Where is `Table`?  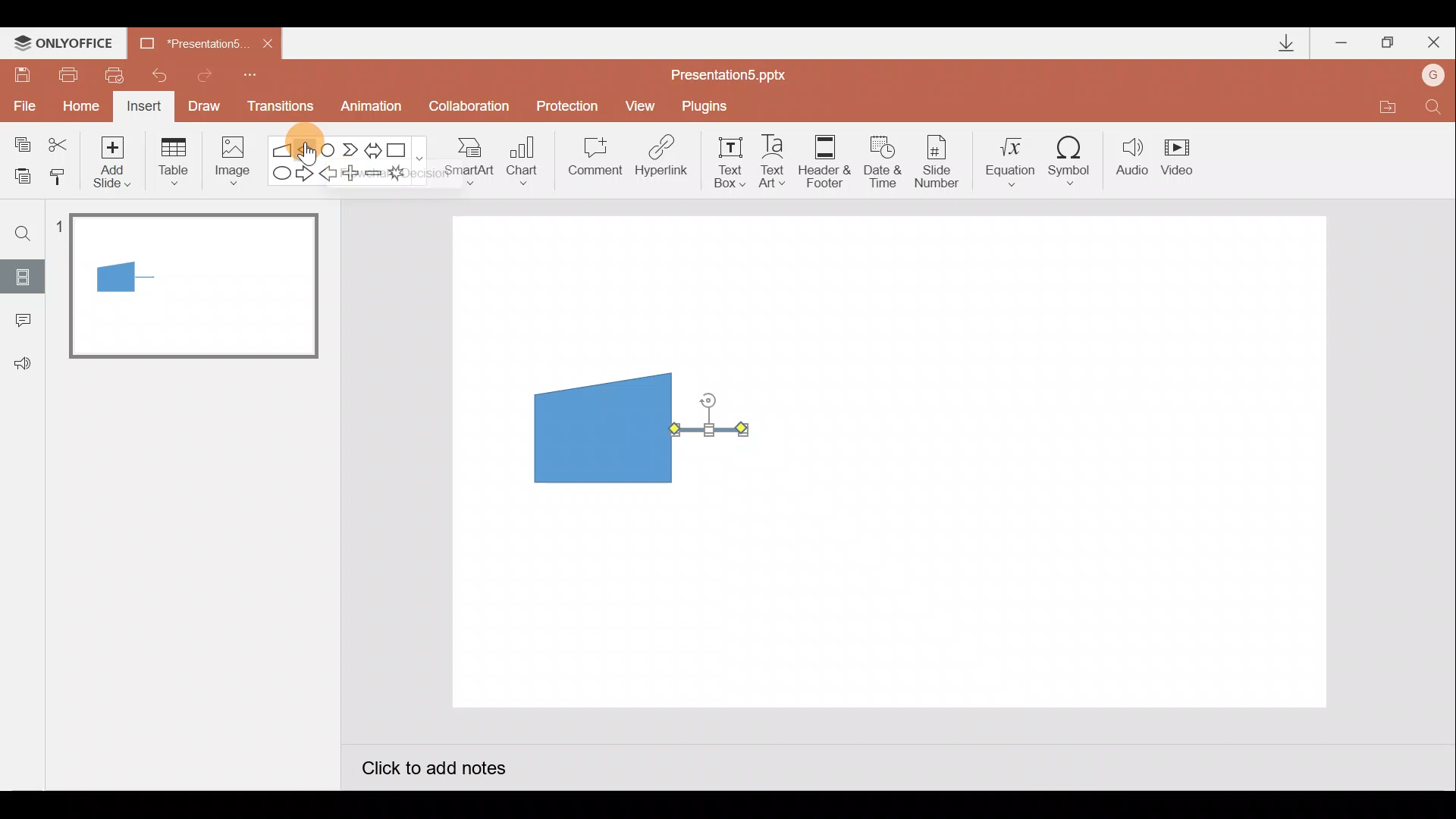
Table is located at coordinates (172, 160).